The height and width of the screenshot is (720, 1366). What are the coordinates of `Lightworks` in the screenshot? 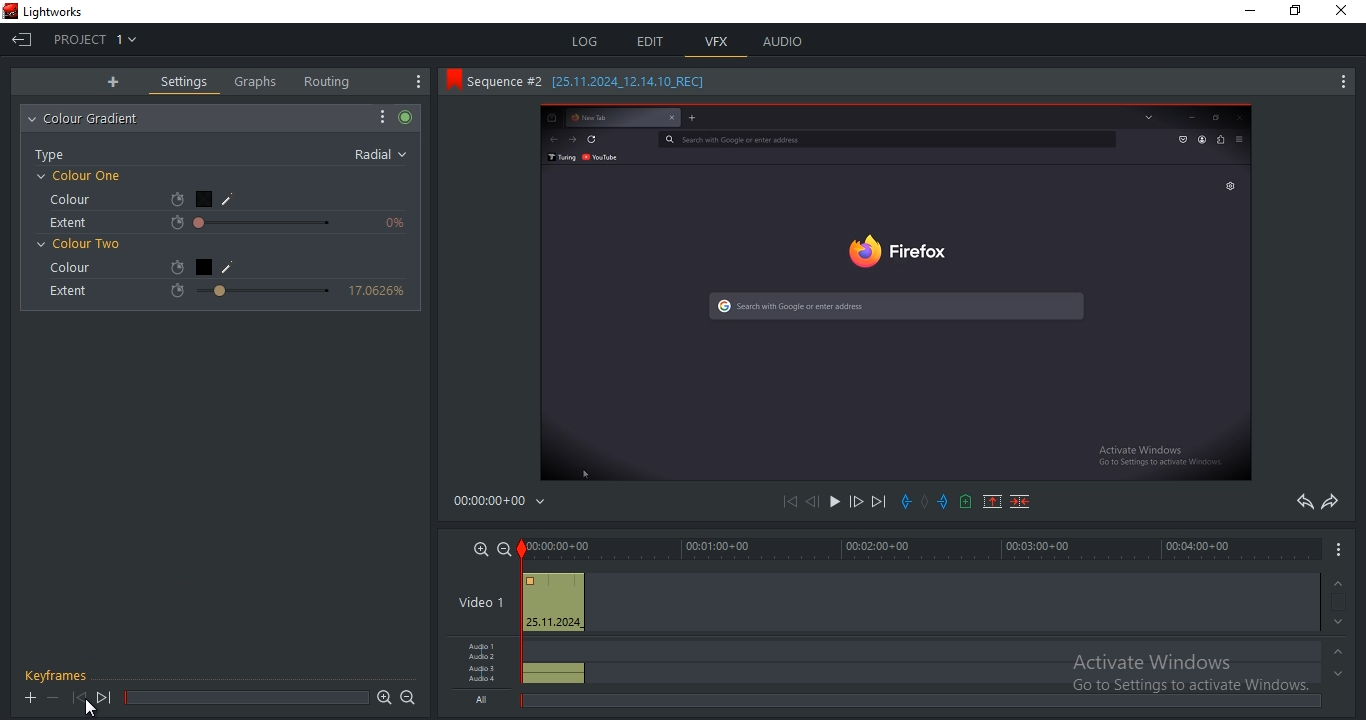 It's located at (63, 10).